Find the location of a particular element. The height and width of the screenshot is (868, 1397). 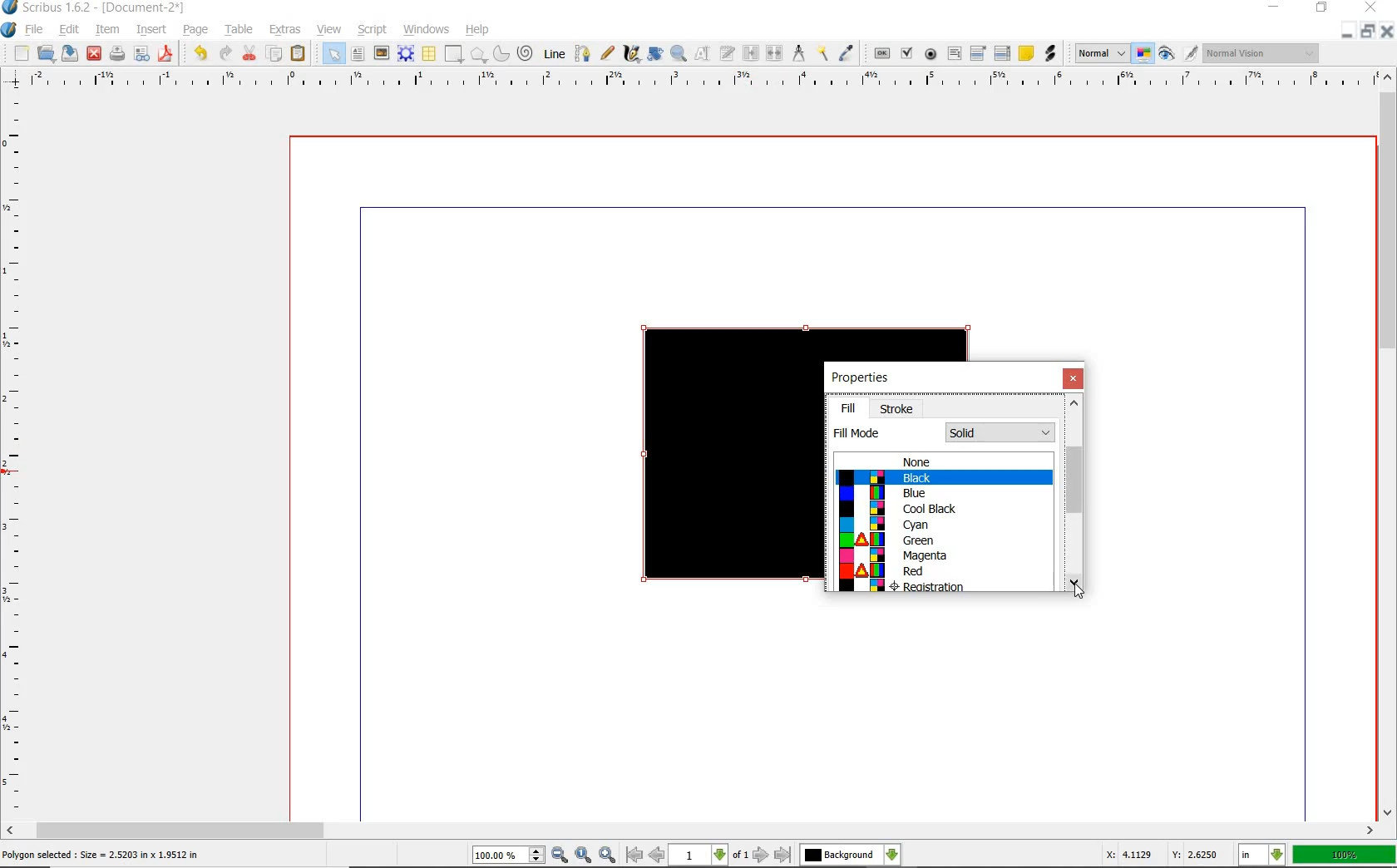

select item is located at coordinates (329, 54).